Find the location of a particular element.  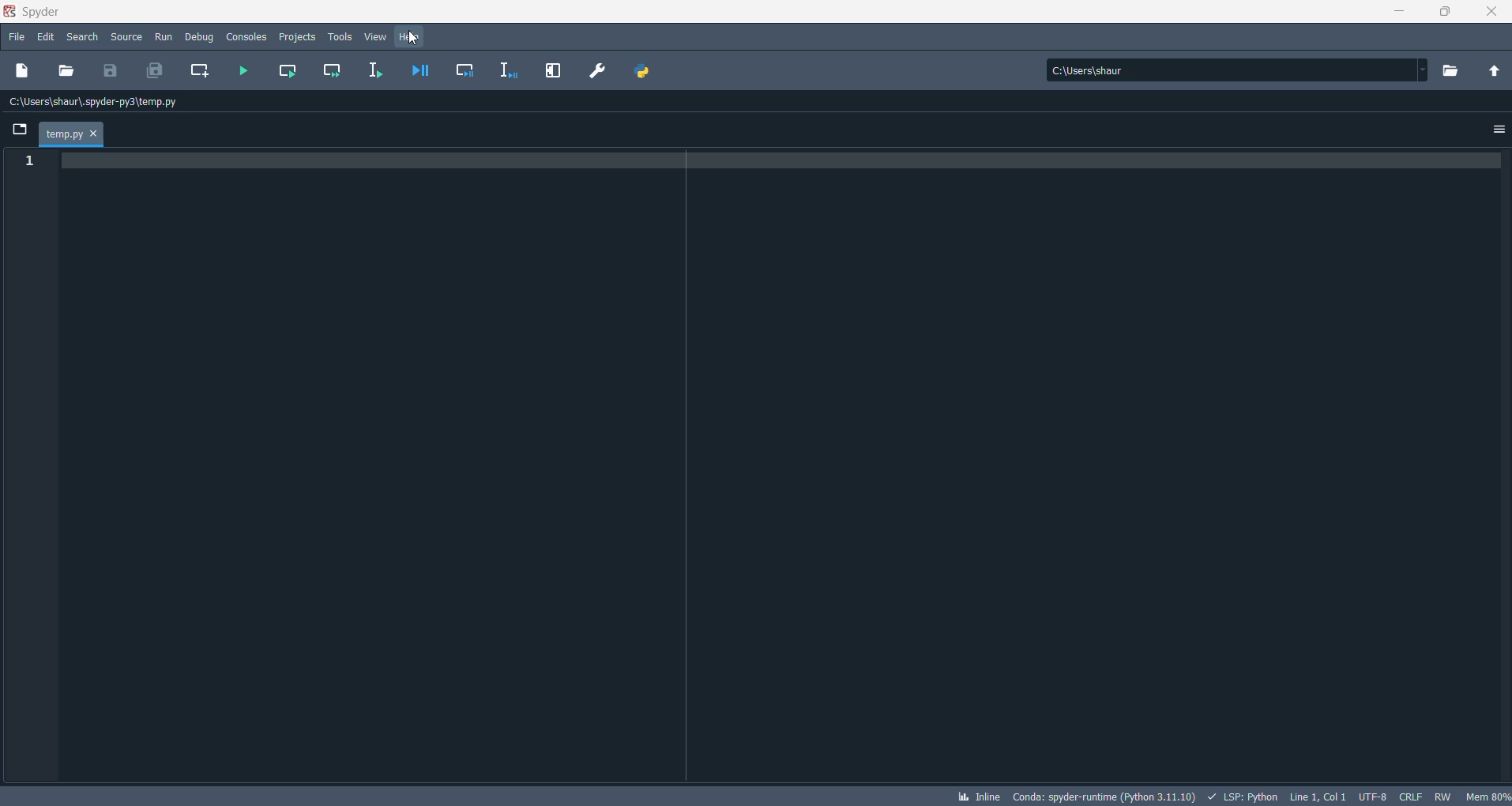

CHARSET is located at coordinates (1371, 795).